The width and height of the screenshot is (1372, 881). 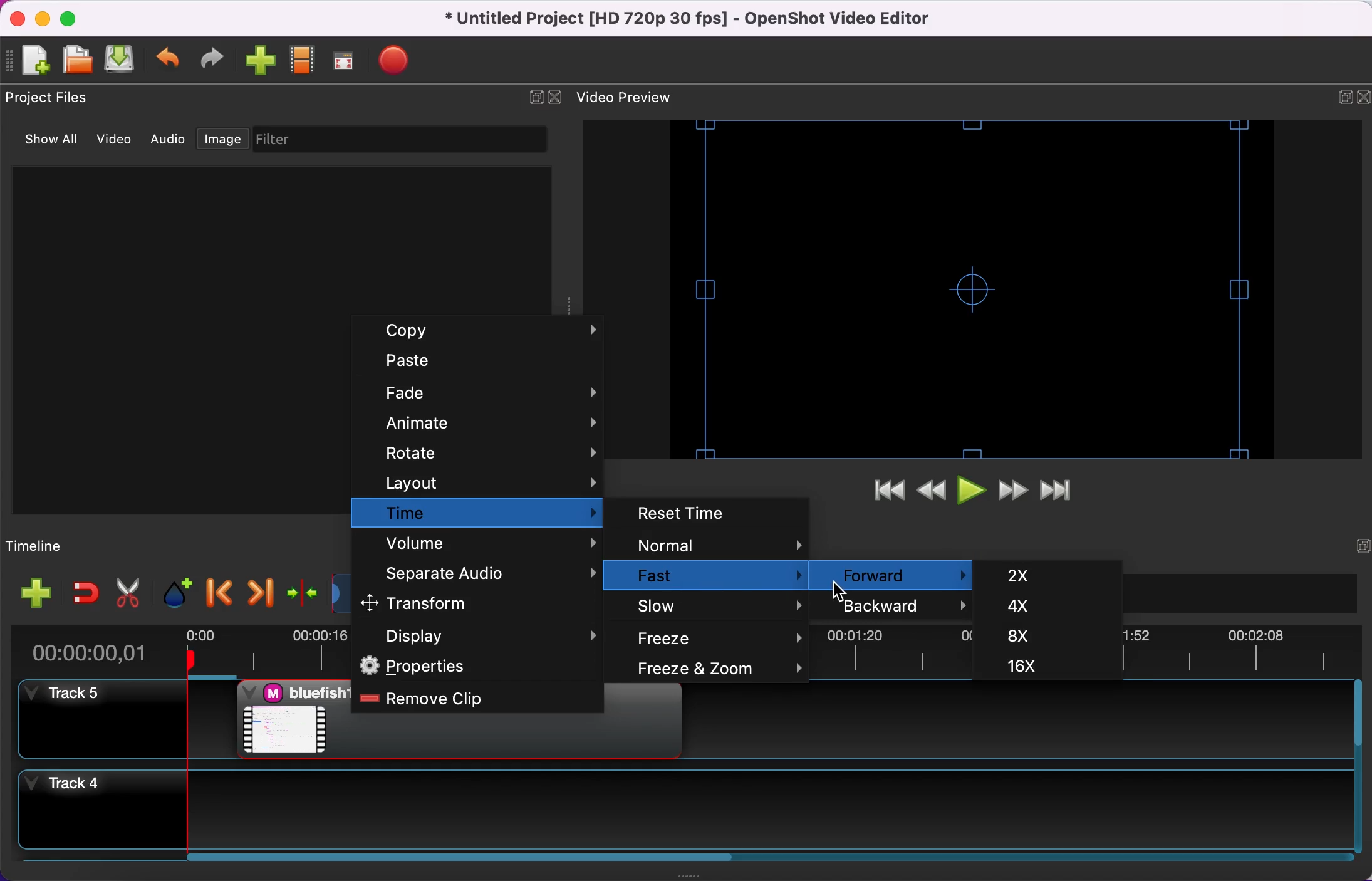 What do you see at coordinates (469, 603) in the screenshot?
I see `transform` at bounding box center [469, 603].